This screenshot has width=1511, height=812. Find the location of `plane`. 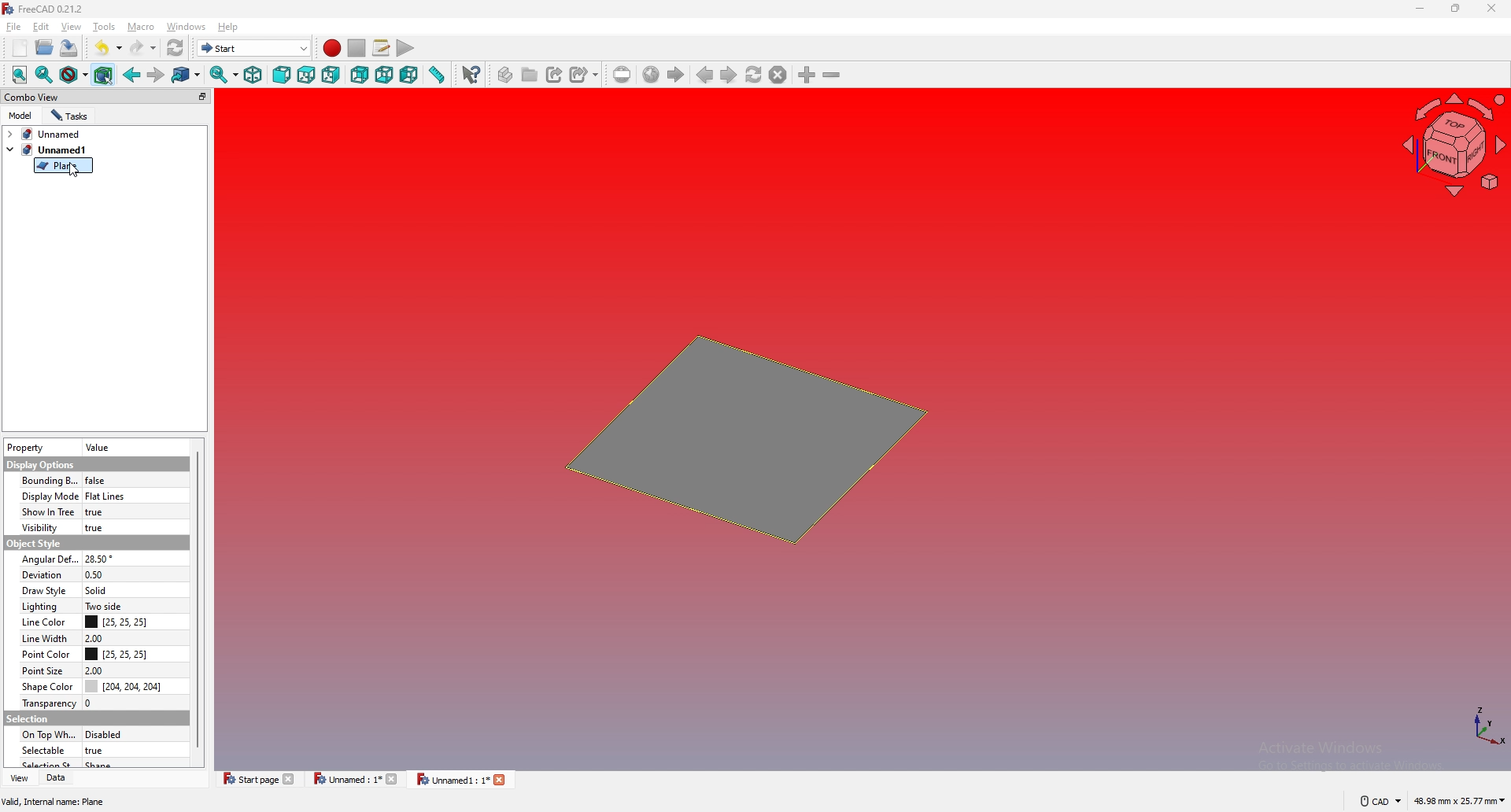

plane is located at coordinates (740, 440).